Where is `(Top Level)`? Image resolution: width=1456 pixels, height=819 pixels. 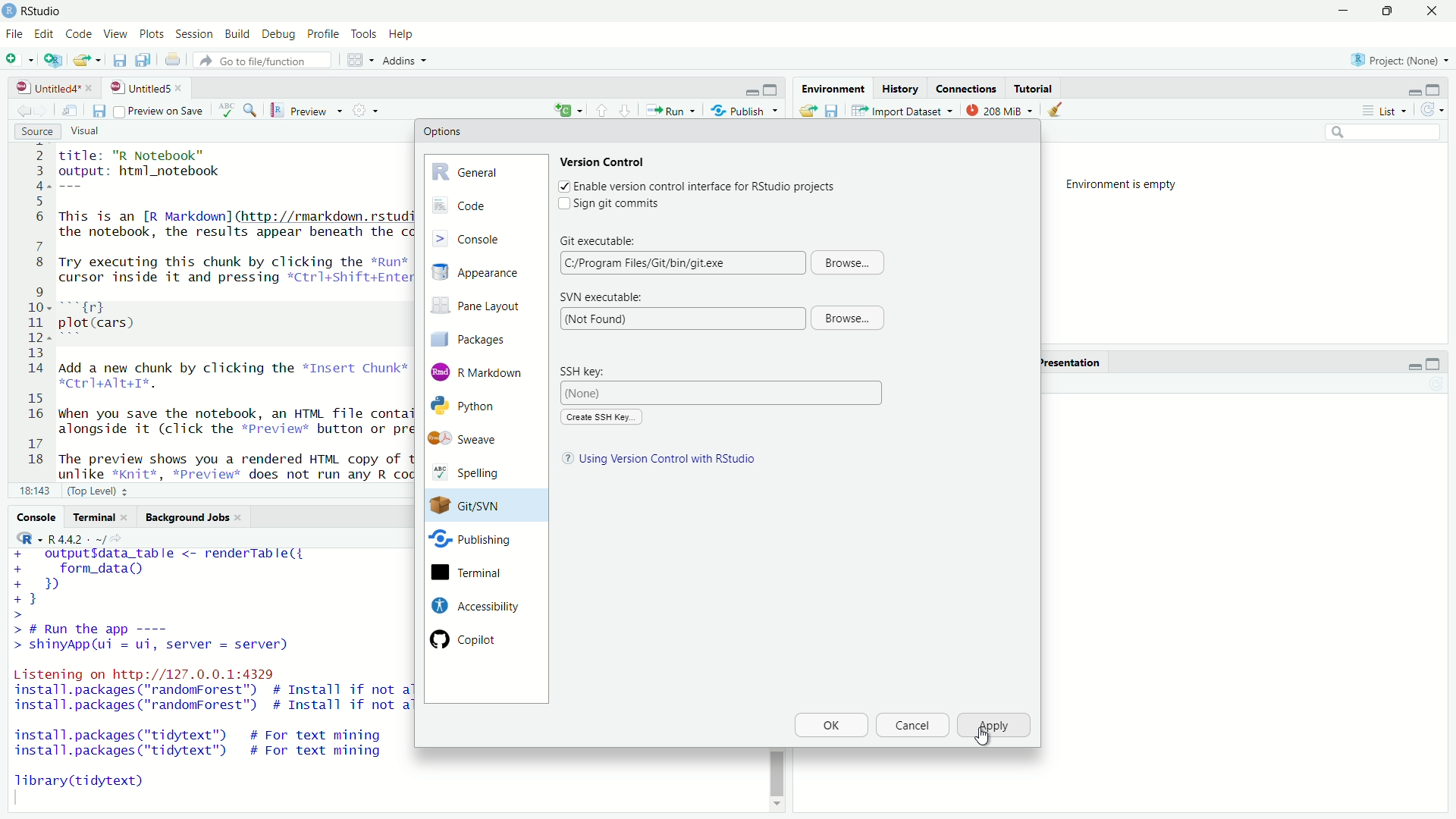 (Top Level) is located at coordinates (100, 490).